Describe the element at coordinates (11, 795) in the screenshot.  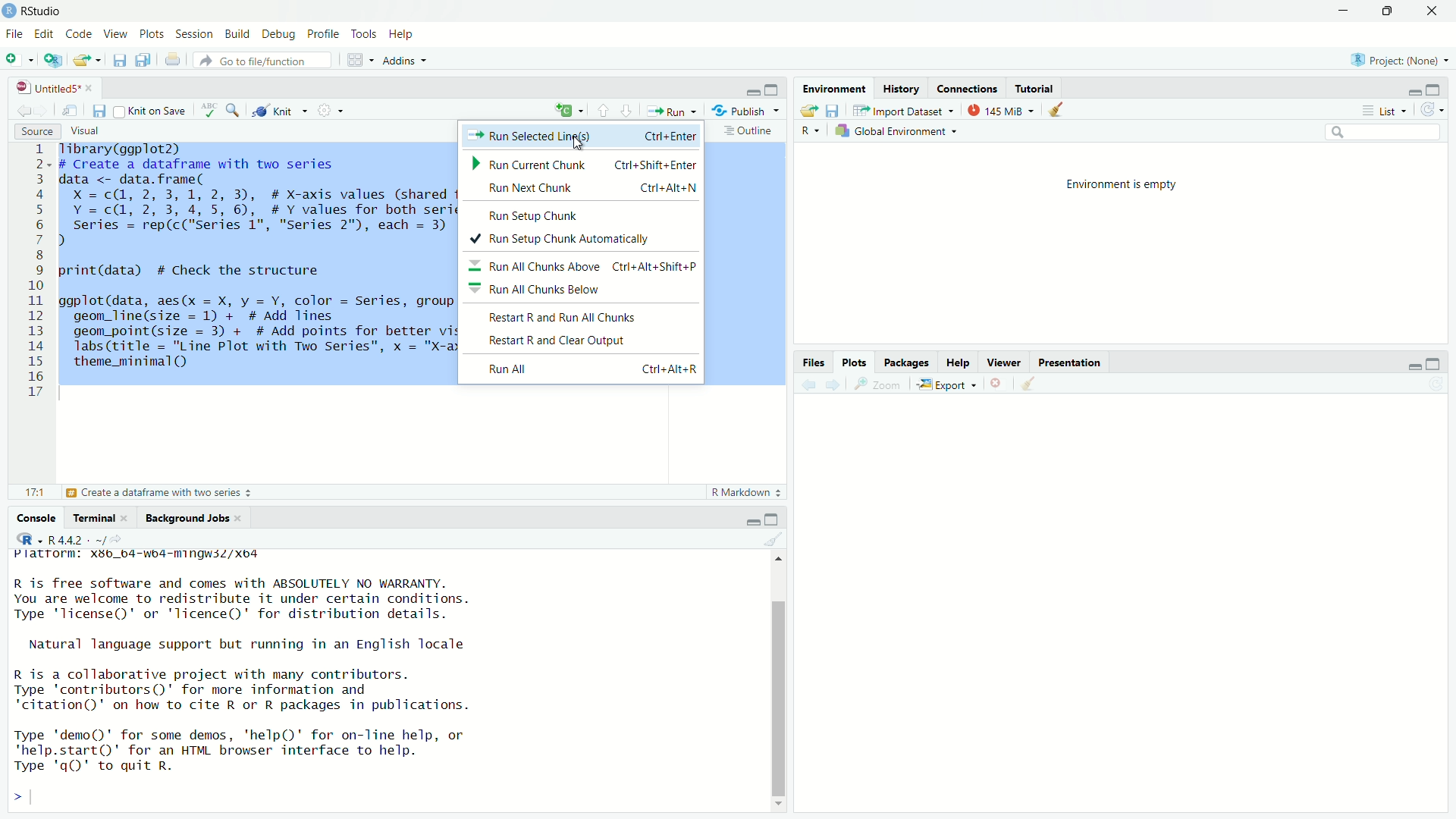
I see `>` at that location.